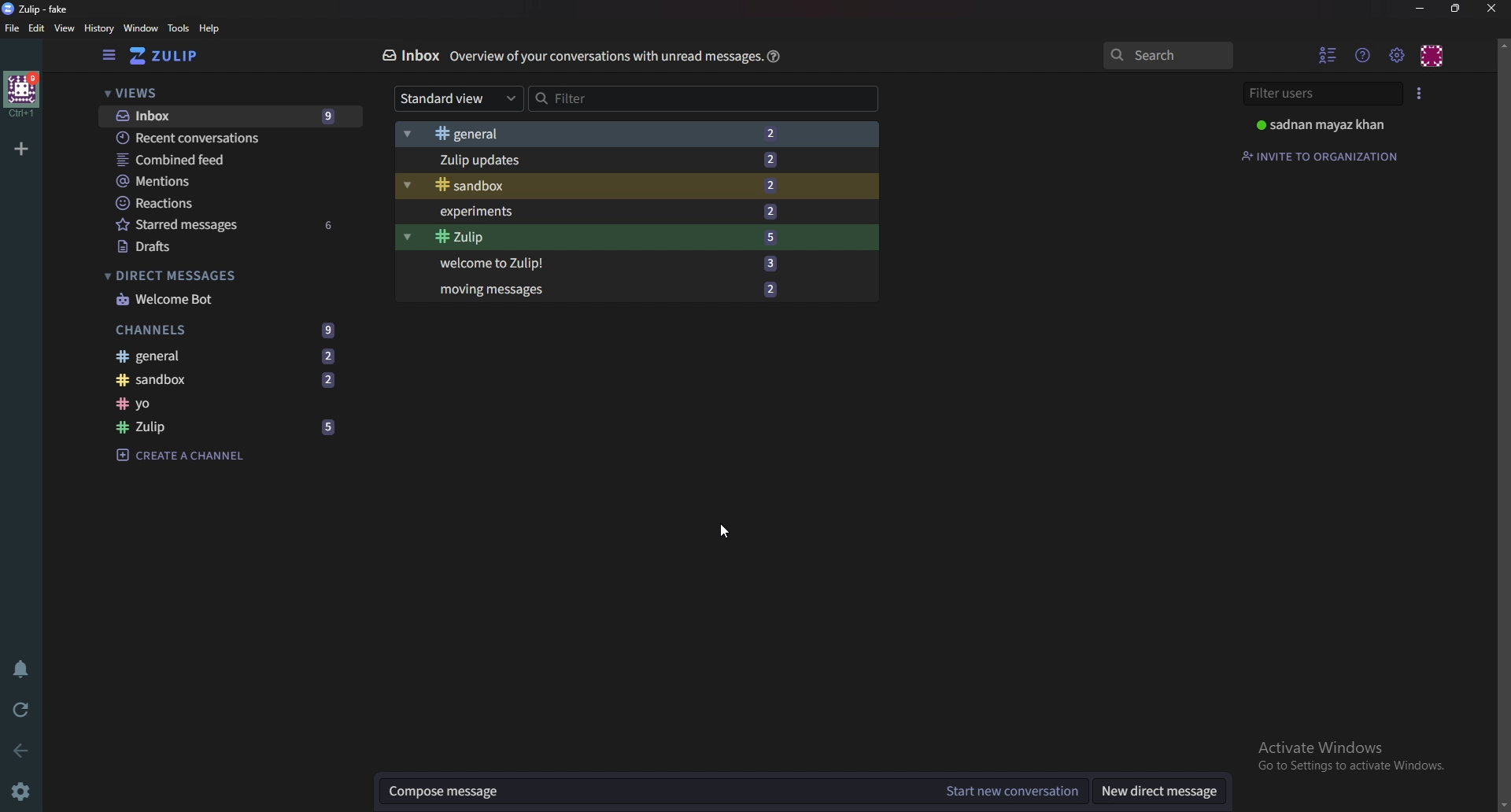 This screenshot has height=812, width=1511. What do you see at coordinates (224, 203) in the screenshot?
I see `Reactions` at bounding box center [224, 203].